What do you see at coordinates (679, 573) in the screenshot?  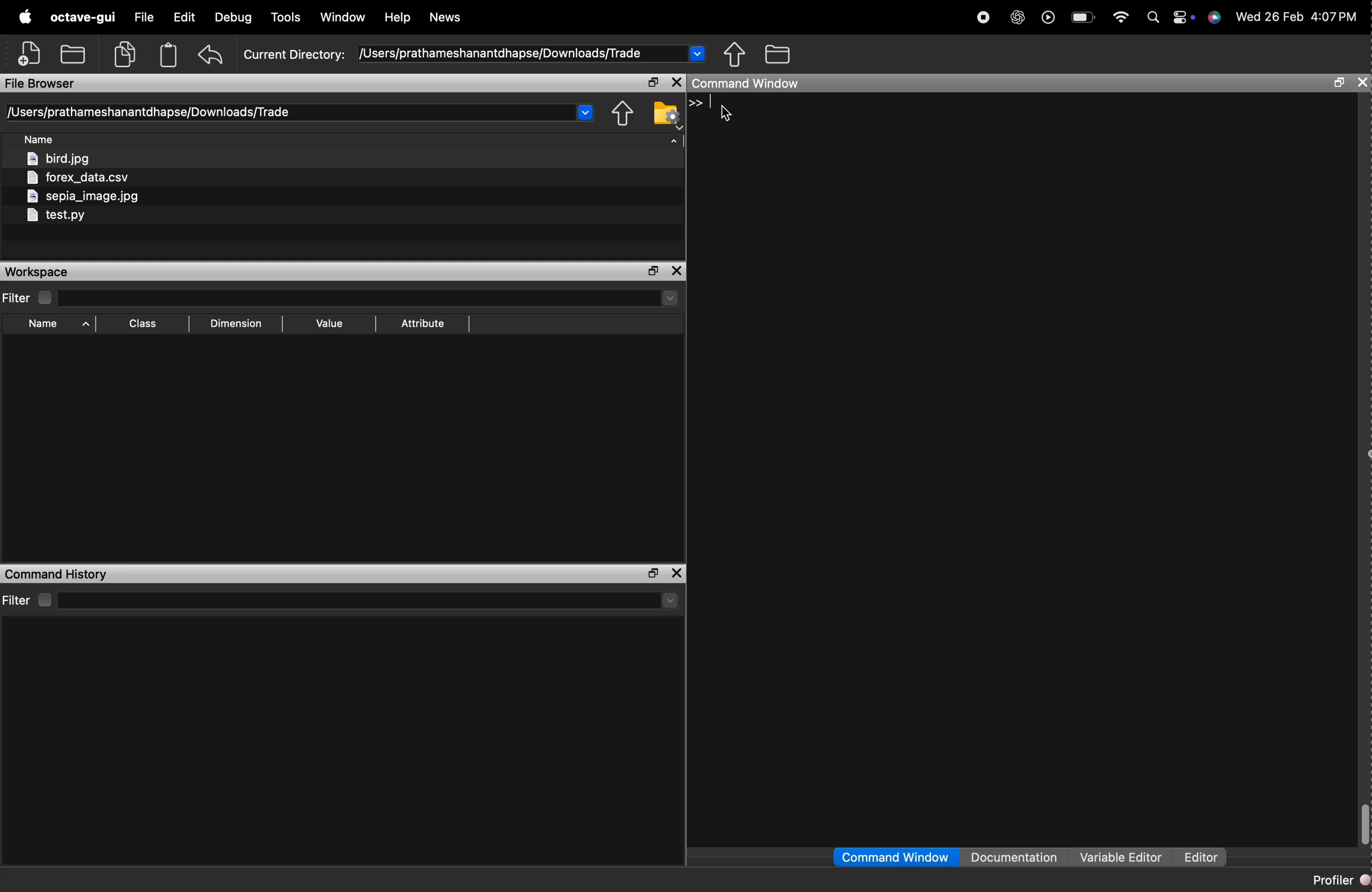 I see `close` at bounding box center [679, 573].